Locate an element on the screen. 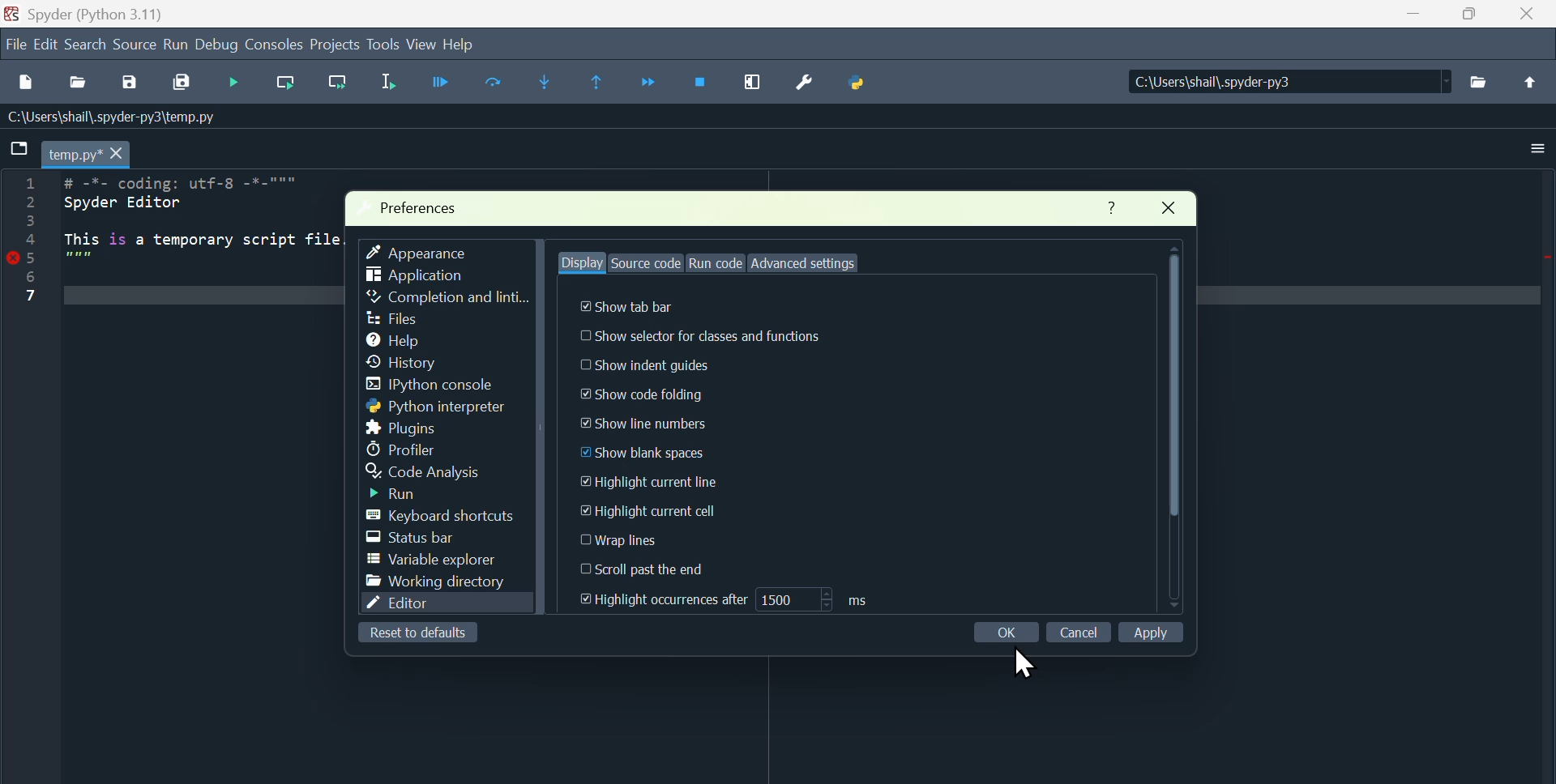  Python path manager is located at coordinates (857, 83).